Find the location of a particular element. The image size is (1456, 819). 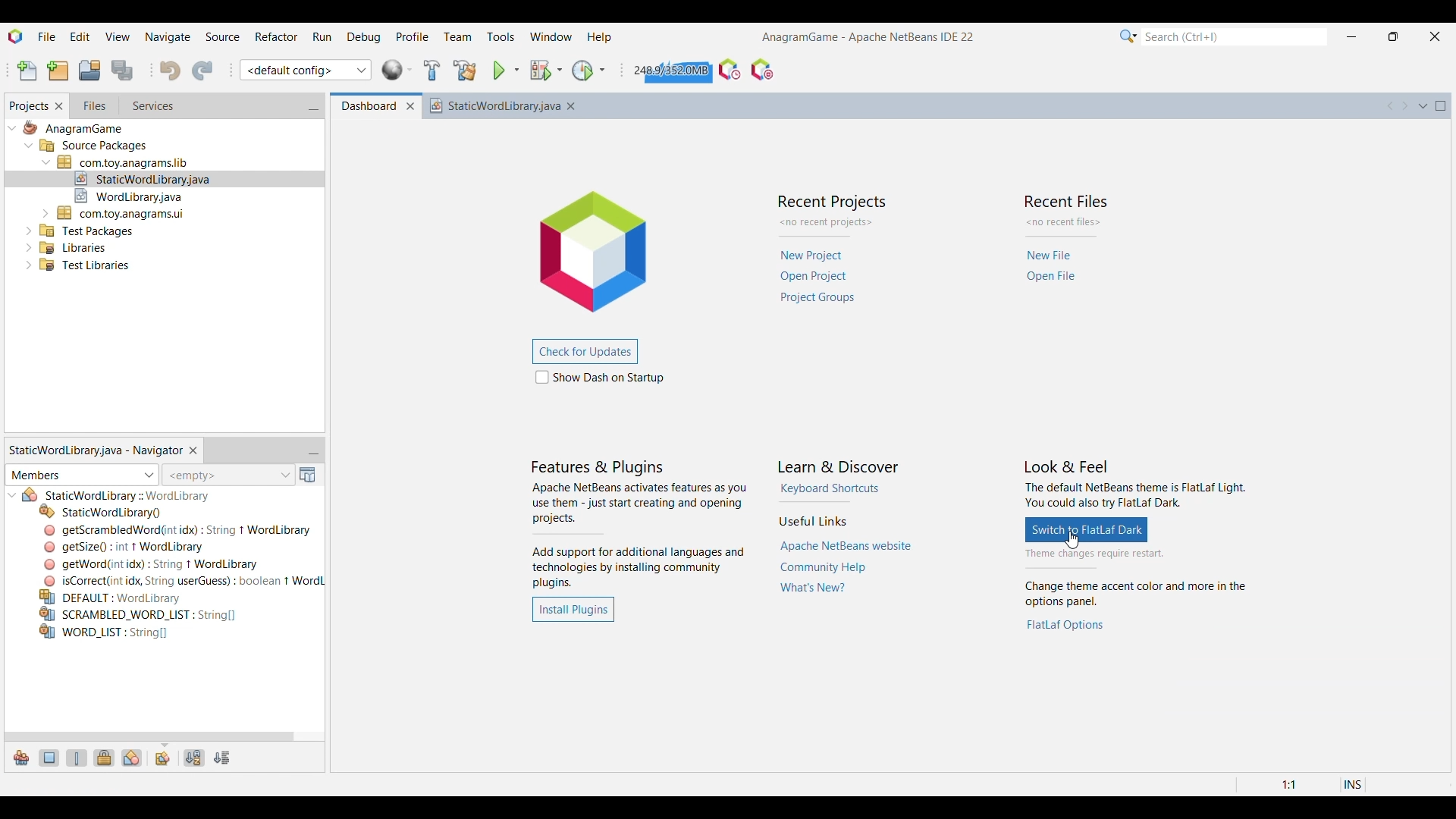

Build project is located at coordinates (432, 70).